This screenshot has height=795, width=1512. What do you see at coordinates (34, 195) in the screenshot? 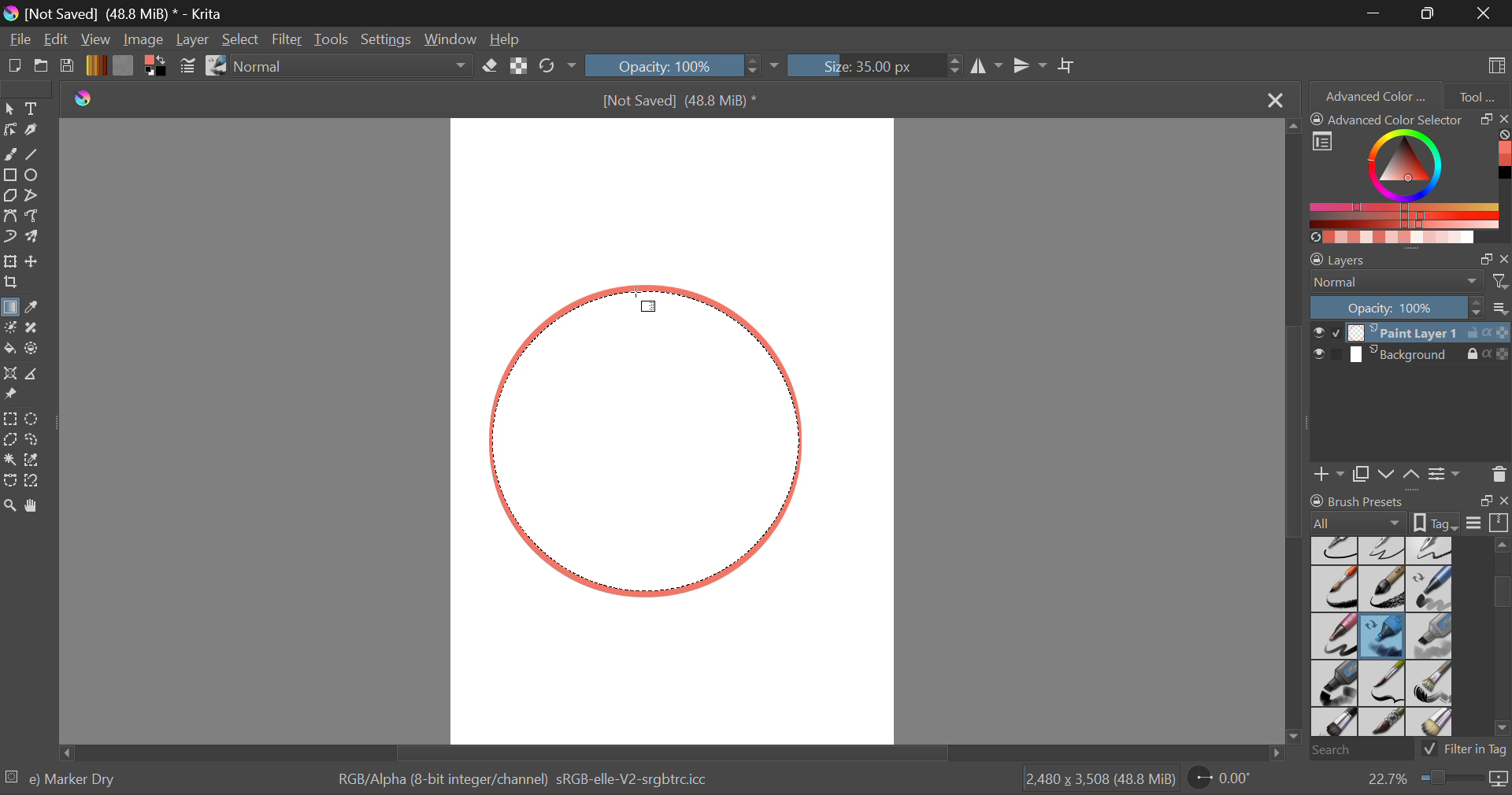
I see `Polyline Tool` at bounding box center [34, 195].